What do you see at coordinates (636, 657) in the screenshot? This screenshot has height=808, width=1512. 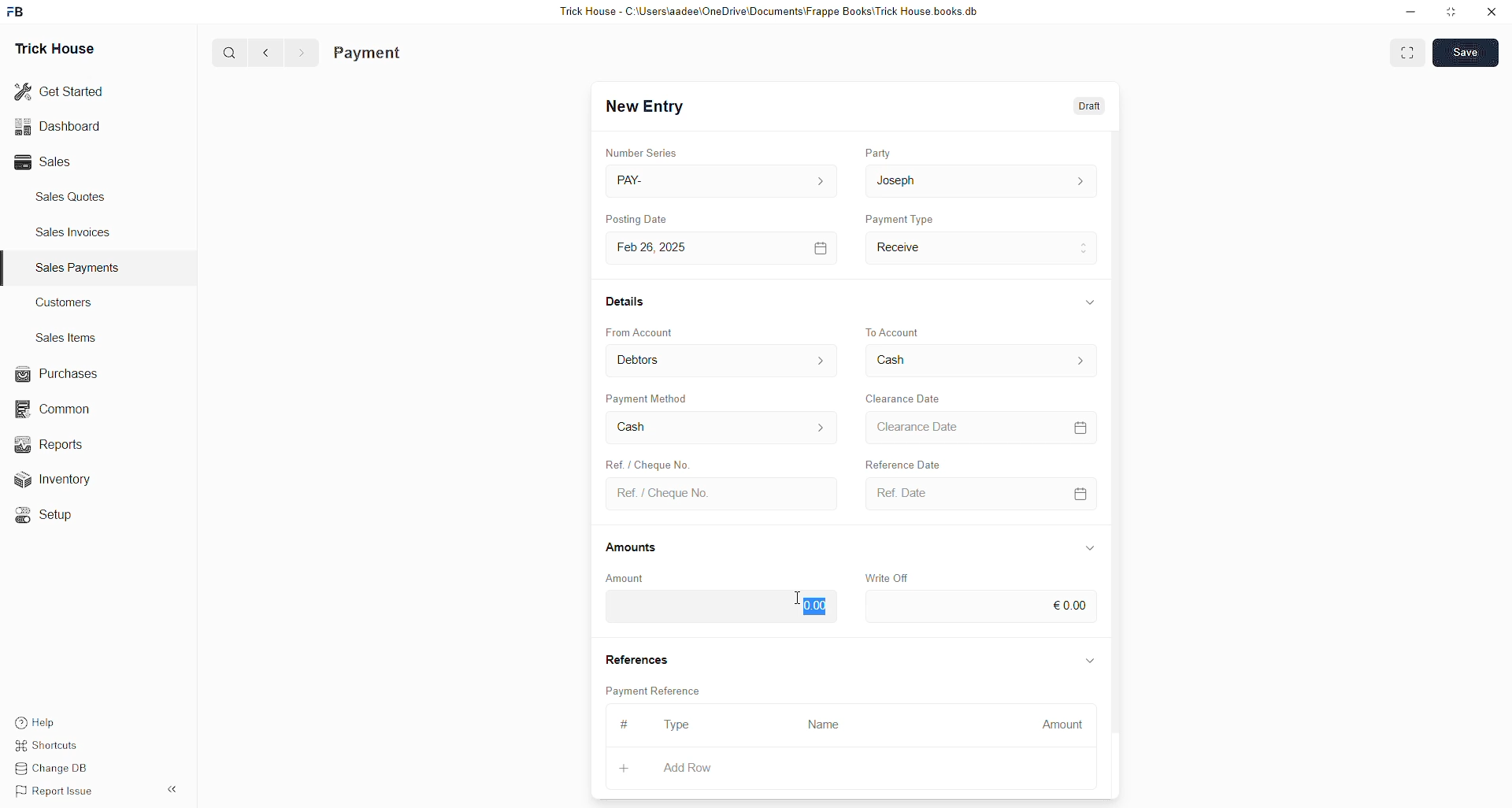 I see `References` at bounding box center [636, 657].